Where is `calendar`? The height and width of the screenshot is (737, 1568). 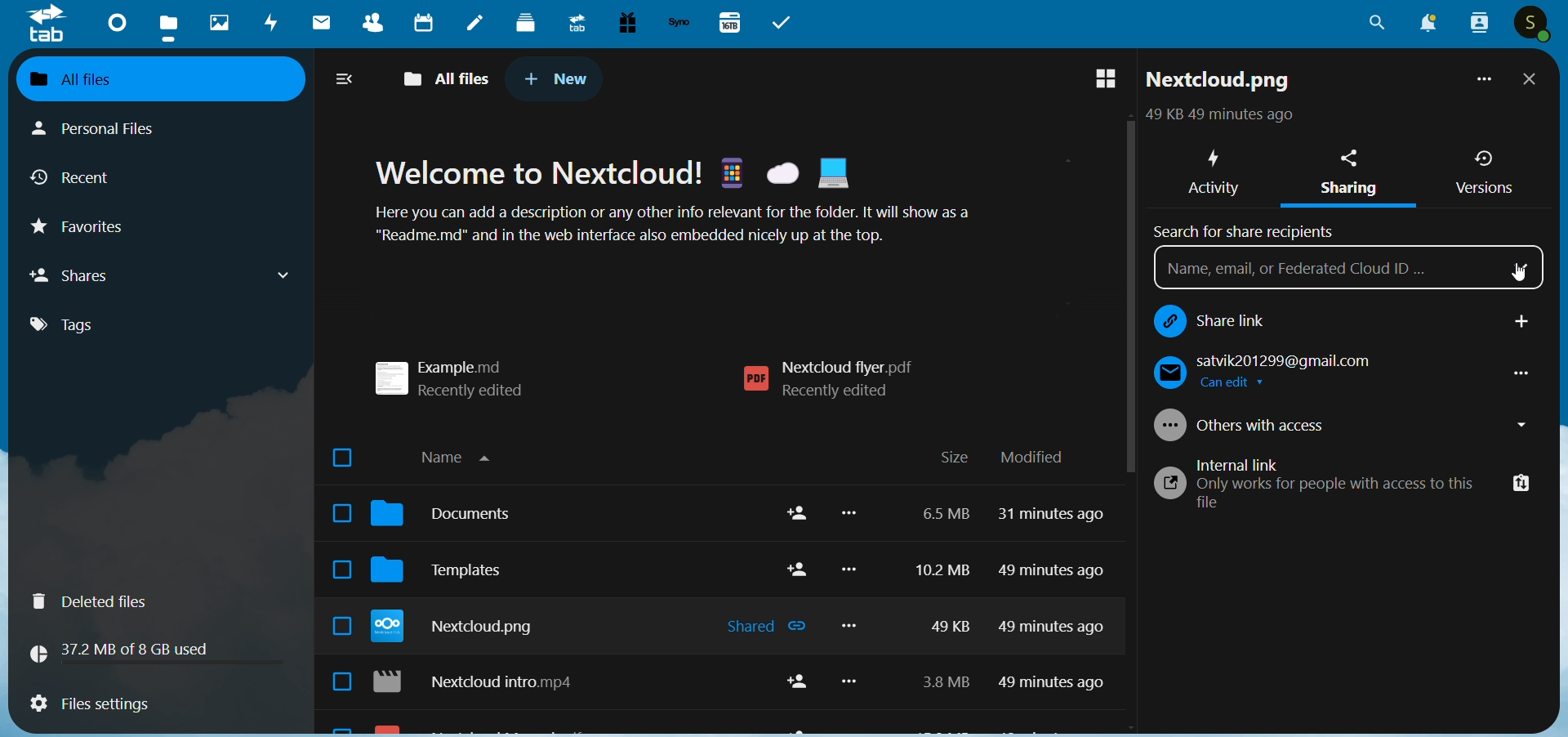
calendar is located at coordinates (425, 21).